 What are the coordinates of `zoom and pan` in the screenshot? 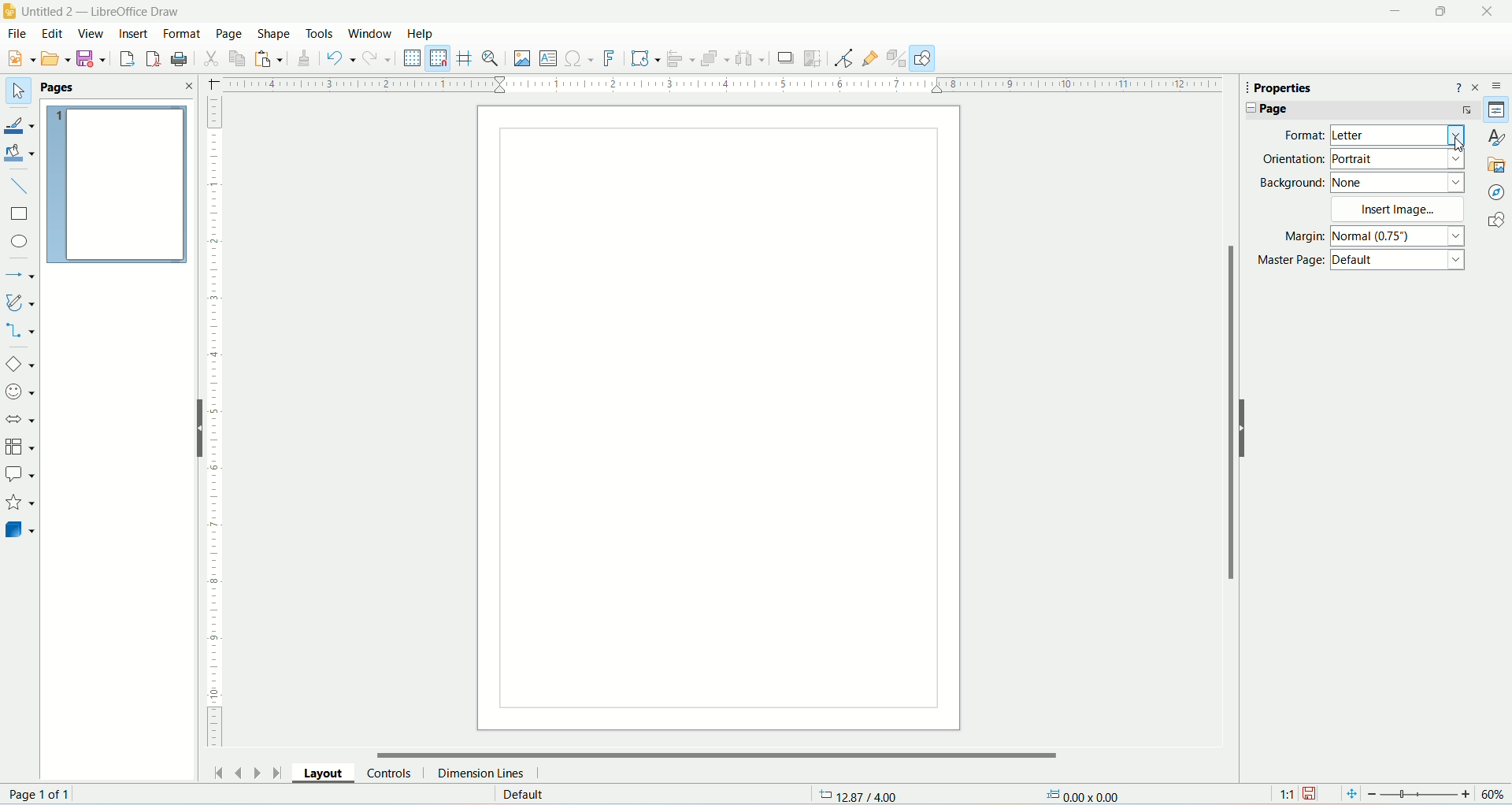 It's located at (492, 59).